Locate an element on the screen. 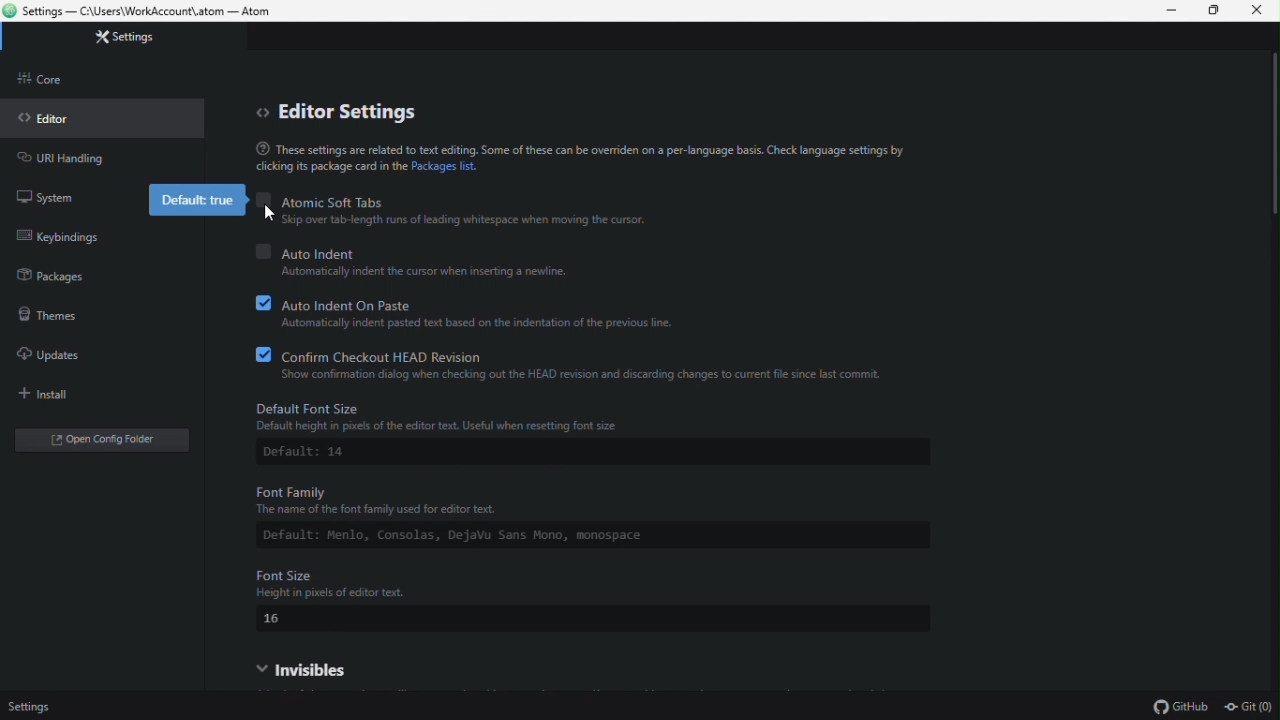 The width and height of the screenshot is (1280, 720). Automatically indent pasted text based on the indentation of the previous line. is located at coordinates (478, 323).